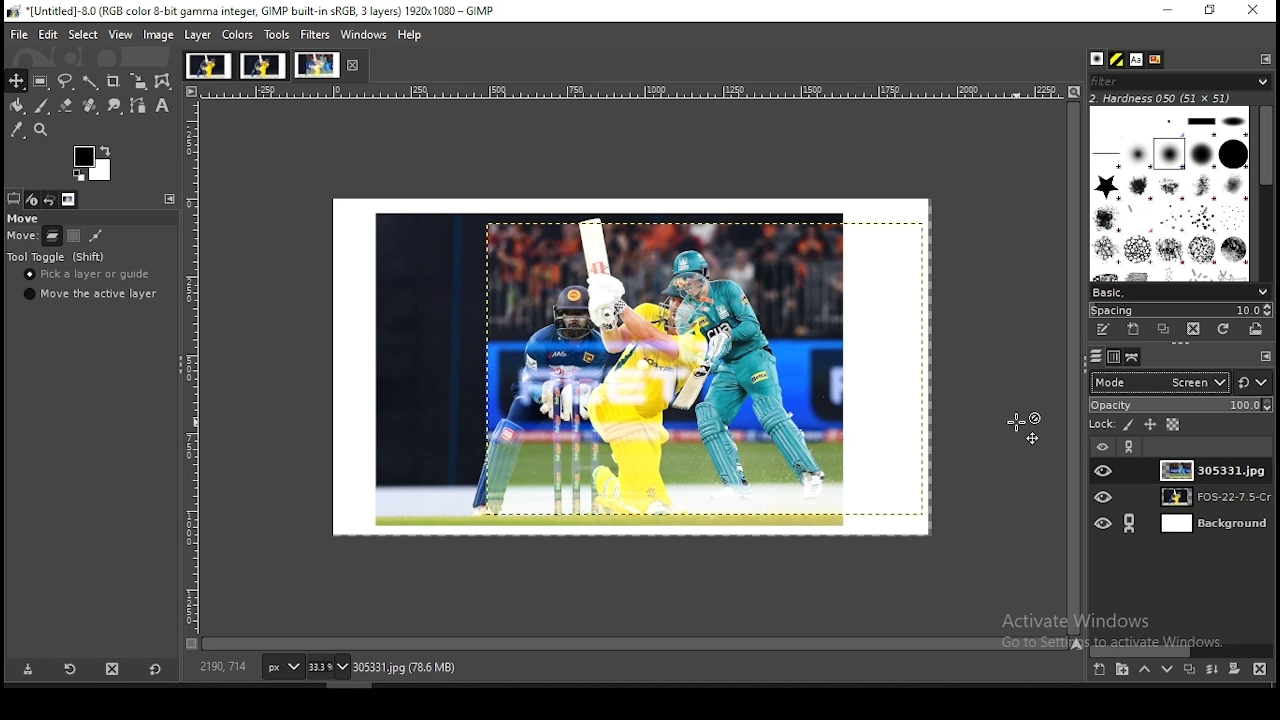 The height and width of the screenshot is (720, 1280). Describe the element at coordinates (404, 667) in the screenshot. I see `305331.jpg (78.6mb)` at that location.